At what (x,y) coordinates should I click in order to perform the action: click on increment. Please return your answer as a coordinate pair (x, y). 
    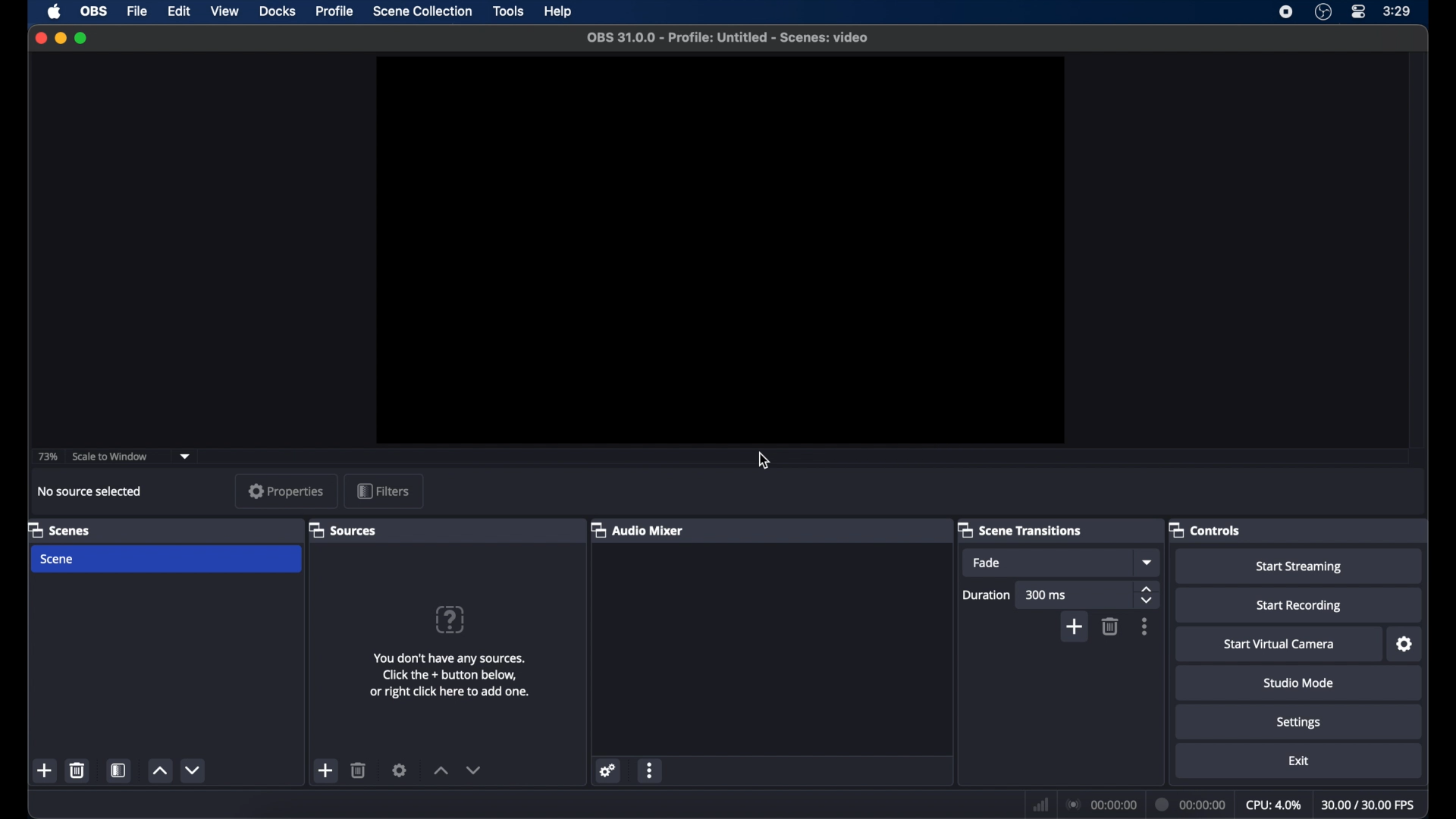
    Looking at the image, I should click on (438, 770).